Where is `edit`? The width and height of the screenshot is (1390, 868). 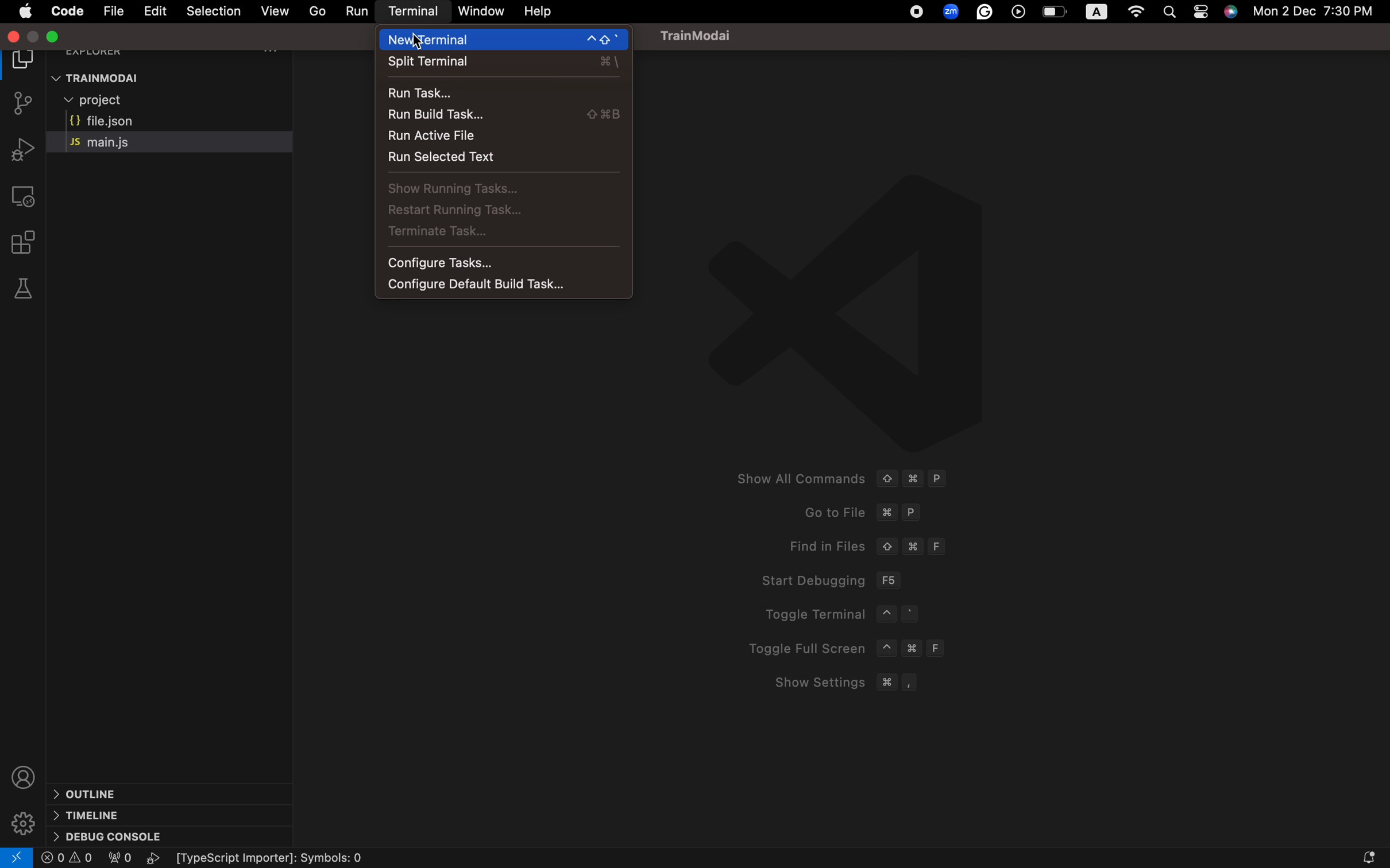 edit is located at coordinates (156, 11).